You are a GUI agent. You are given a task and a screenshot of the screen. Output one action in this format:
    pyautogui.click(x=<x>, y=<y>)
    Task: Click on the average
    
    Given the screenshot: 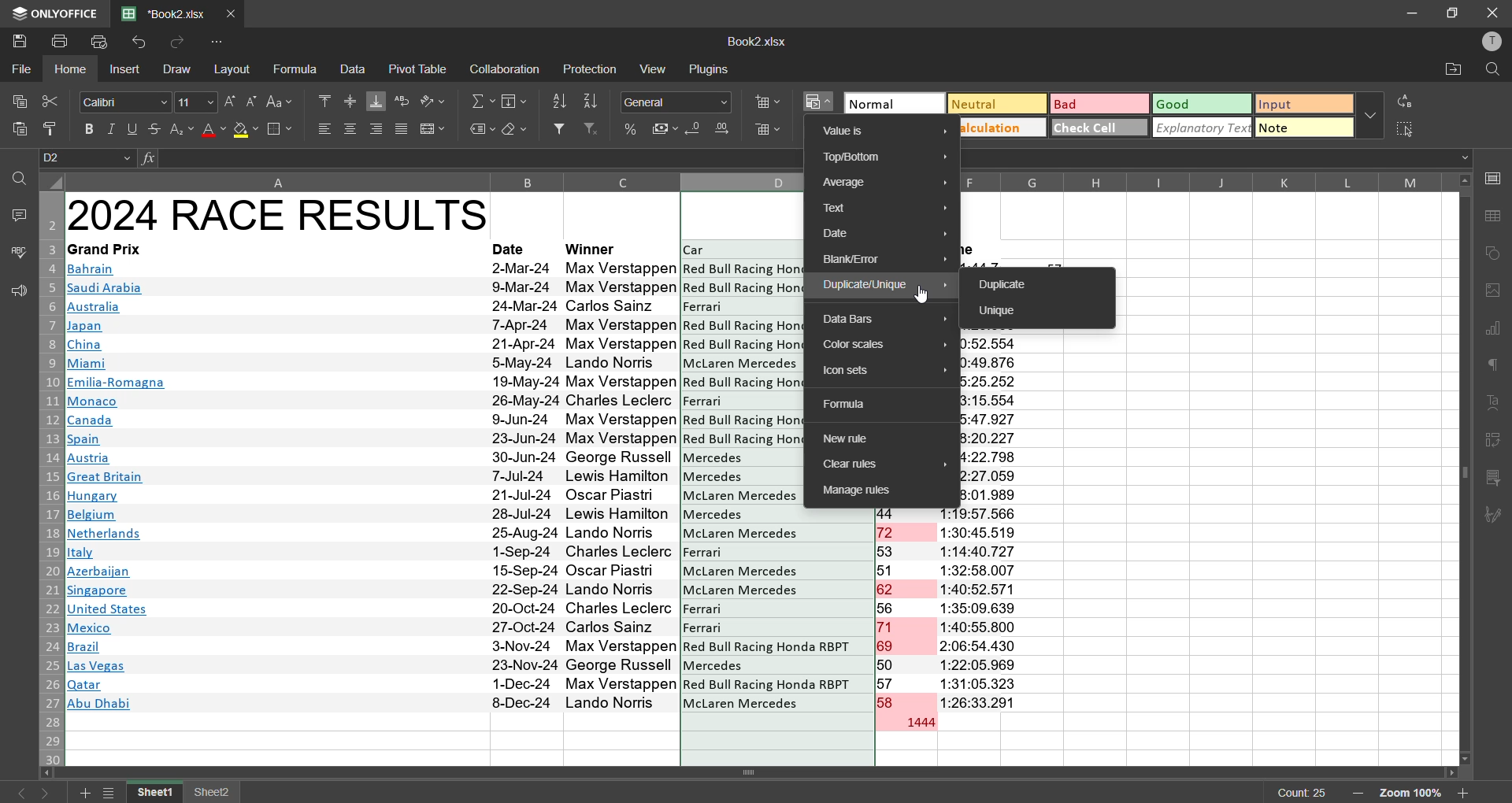 What is the action you would take?
    pyautogui.click(x=884, y=184)
    